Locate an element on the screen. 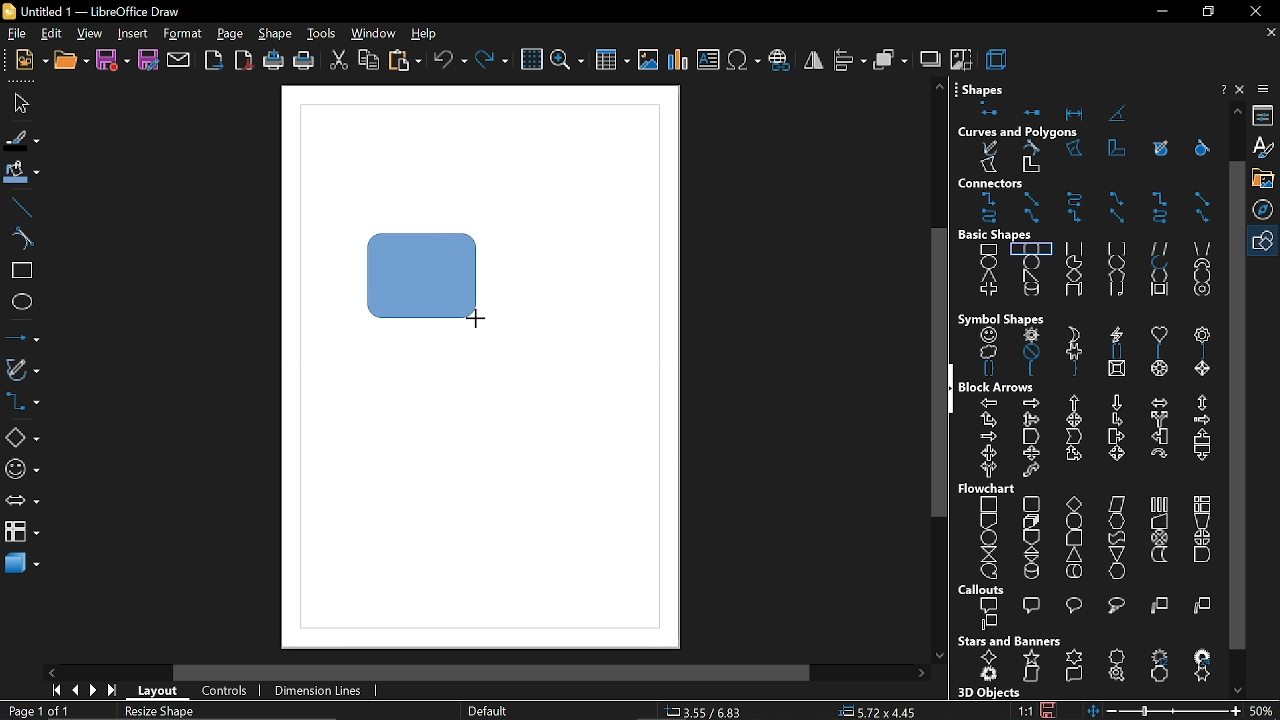  flow chart is located at coordinates (990, 489).